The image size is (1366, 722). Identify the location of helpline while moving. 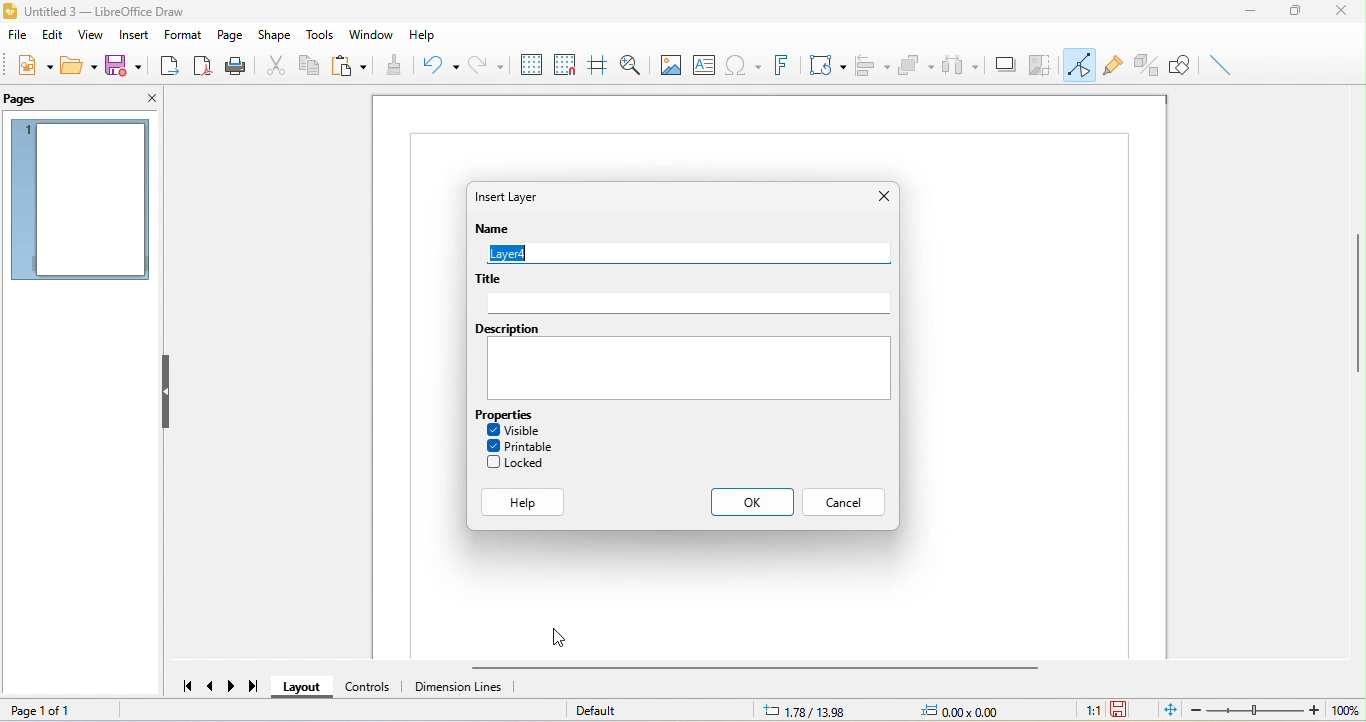
(596, 65).